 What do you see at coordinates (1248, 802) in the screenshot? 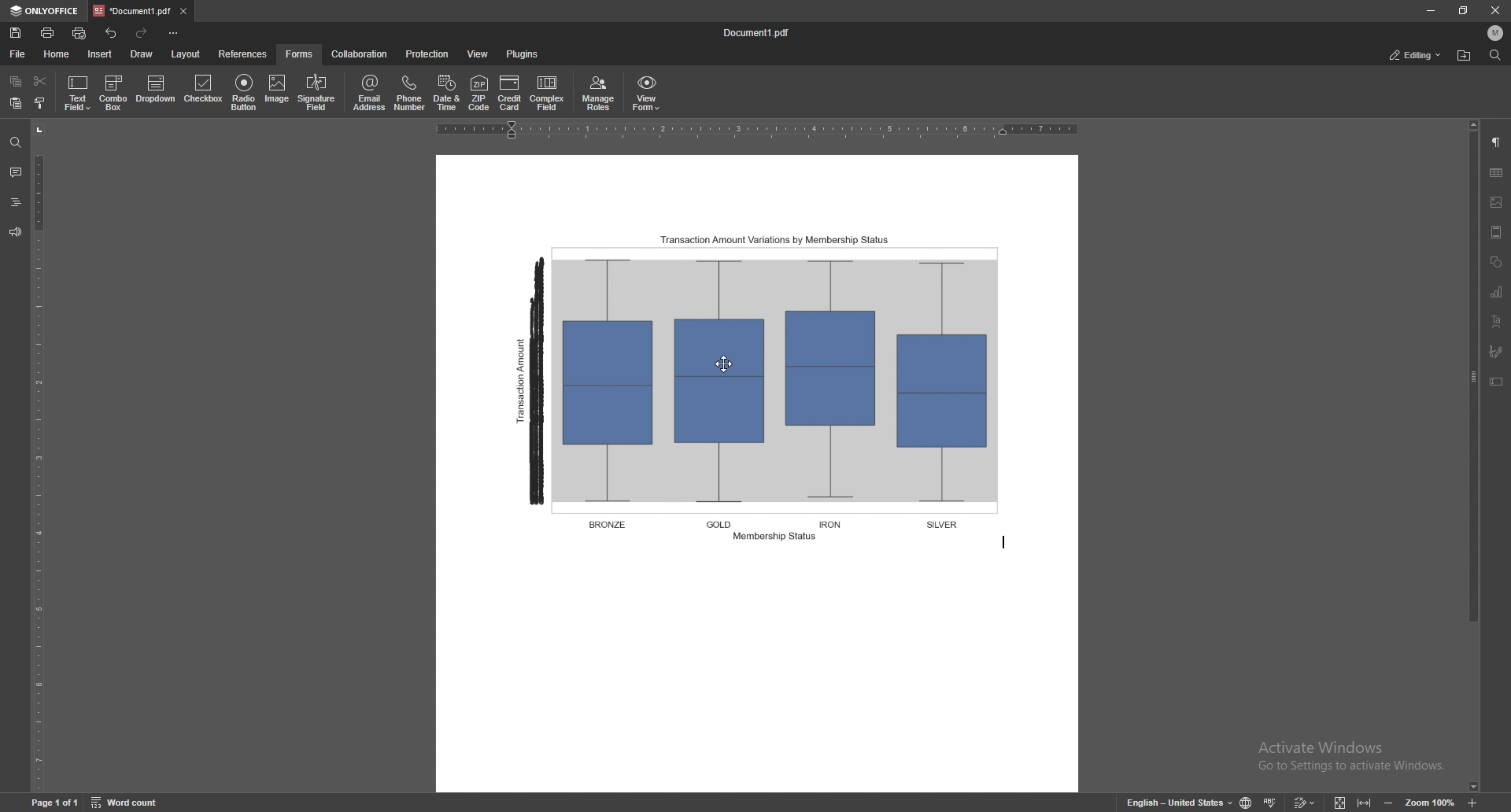
I see `change doc language` at bounding box center [1248, 802].